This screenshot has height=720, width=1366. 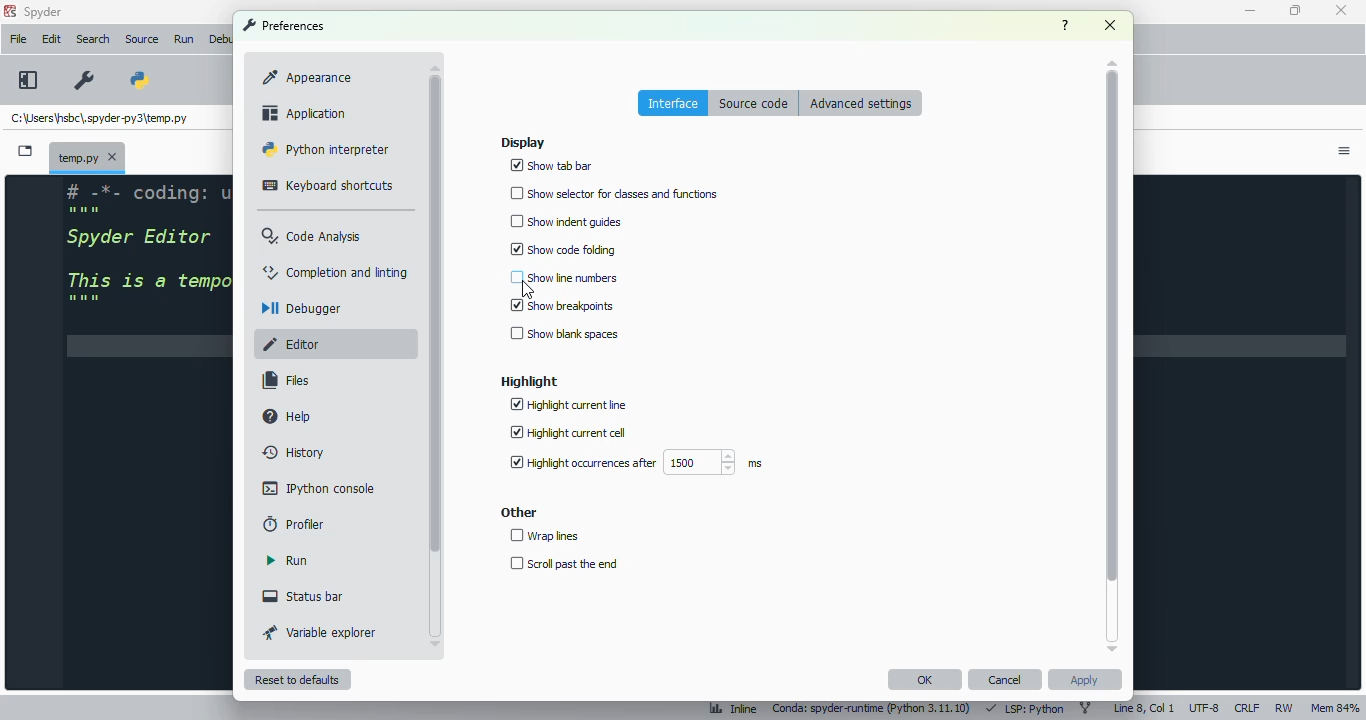 What do you see at coordinates (435, 312) in the screenshot?
I see `vertical scroll bar` at bounding box center [435, 312].